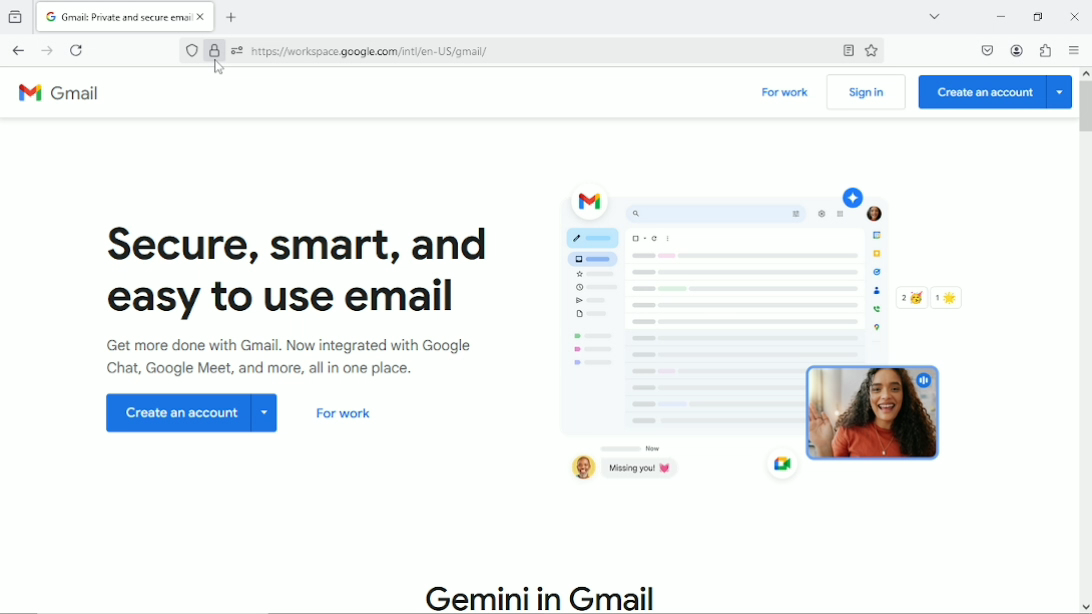 The width and height of the screenshot is (1092, 614). Describe the element at coordinates (19, 15) in the screenshot. I see `view recent browsing` at that location.